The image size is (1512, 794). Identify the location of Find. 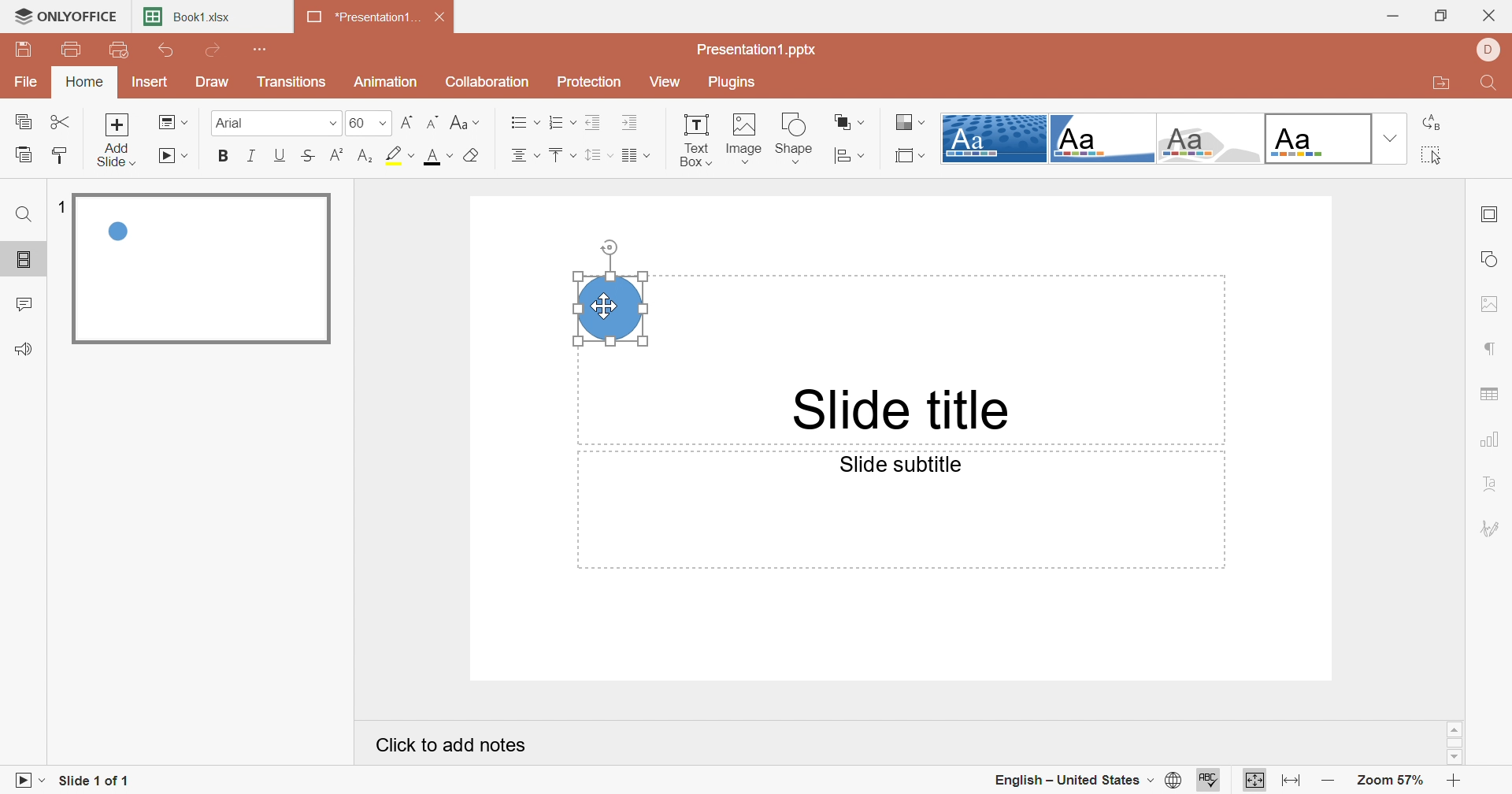
(24, 217).